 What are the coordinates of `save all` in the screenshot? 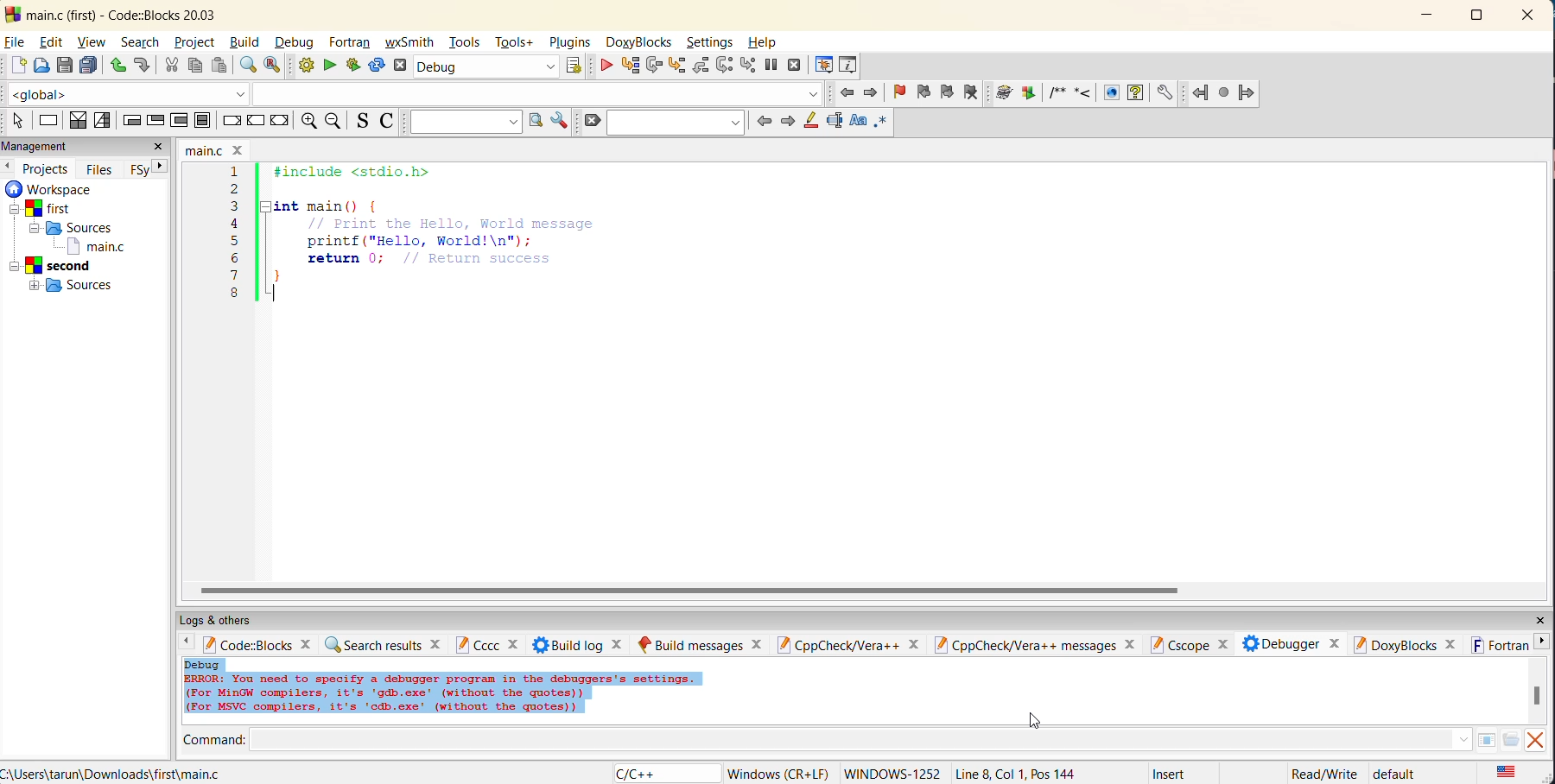 It's located at (90, 66).